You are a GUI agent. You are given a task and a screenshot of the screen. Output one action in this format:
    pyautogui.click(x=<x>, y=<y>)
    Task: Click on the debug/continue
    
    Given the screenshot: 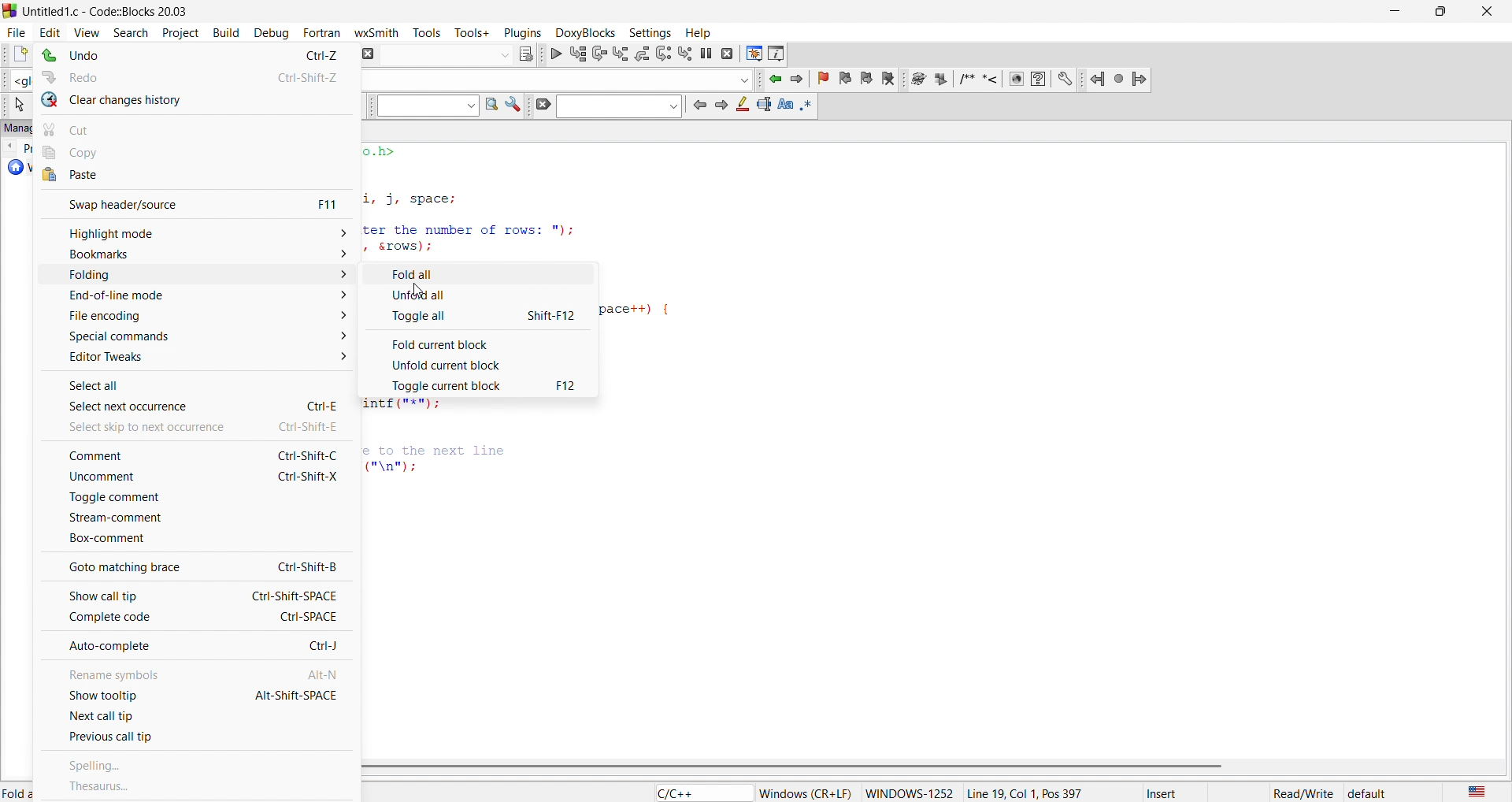 What is the action you would take?
    pyautogui.click(x=554, y=54)
    